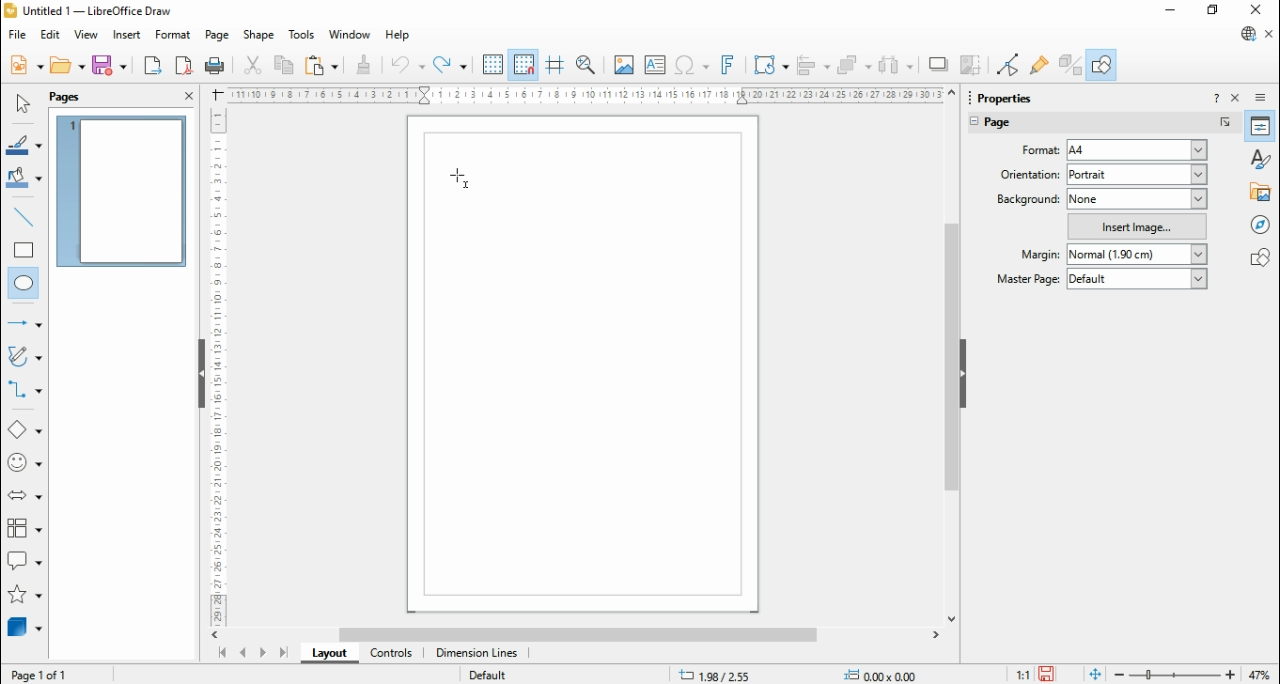 The image size is (1280, 684). What do you see at coordinates (79, 97) in the screenshot?
I see `pages panel` at bounding box center [79, 97].